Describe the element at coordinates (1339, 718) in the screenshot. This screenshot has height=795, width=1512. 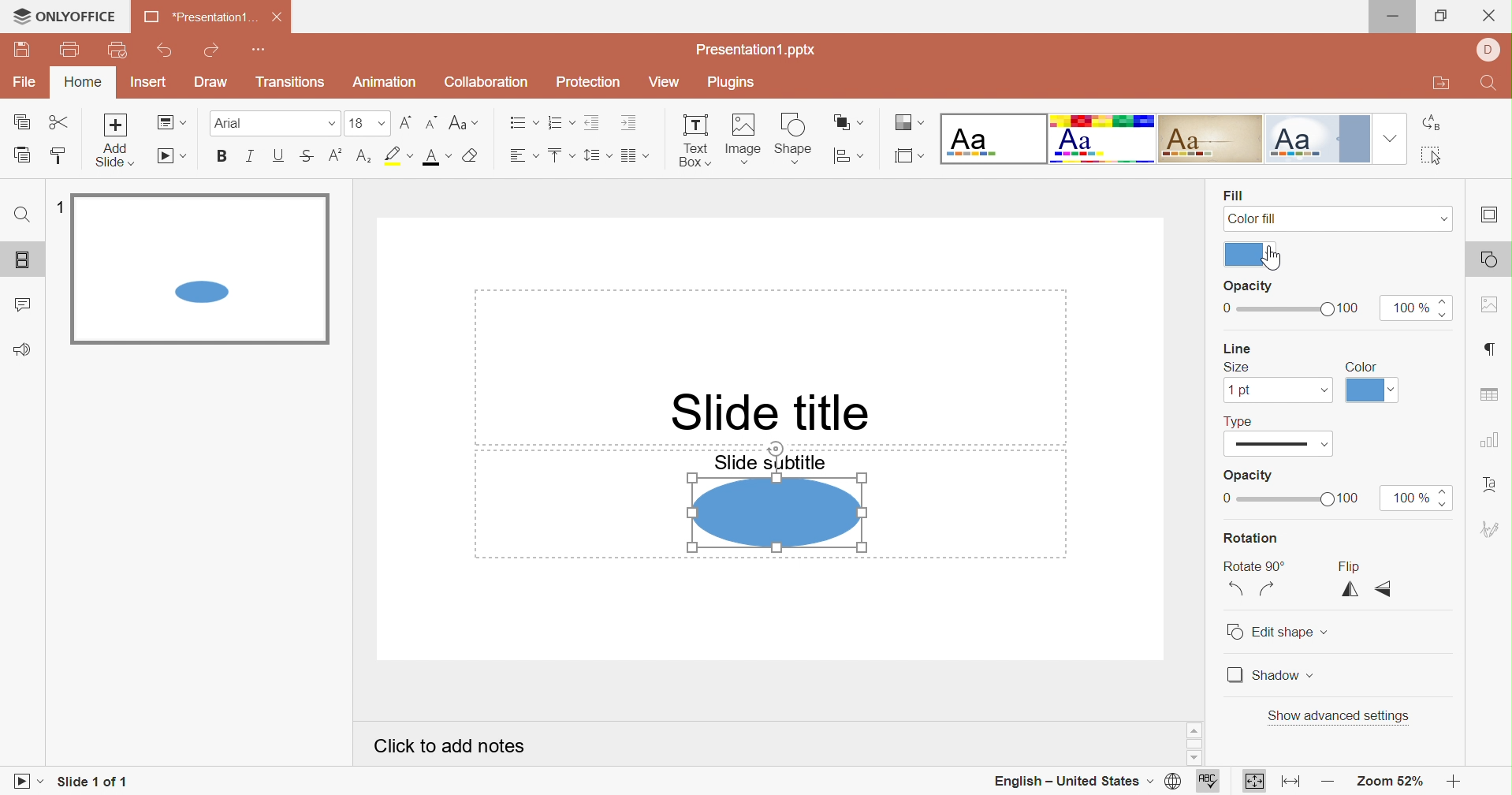
I see `Show advanced settings` at that location.